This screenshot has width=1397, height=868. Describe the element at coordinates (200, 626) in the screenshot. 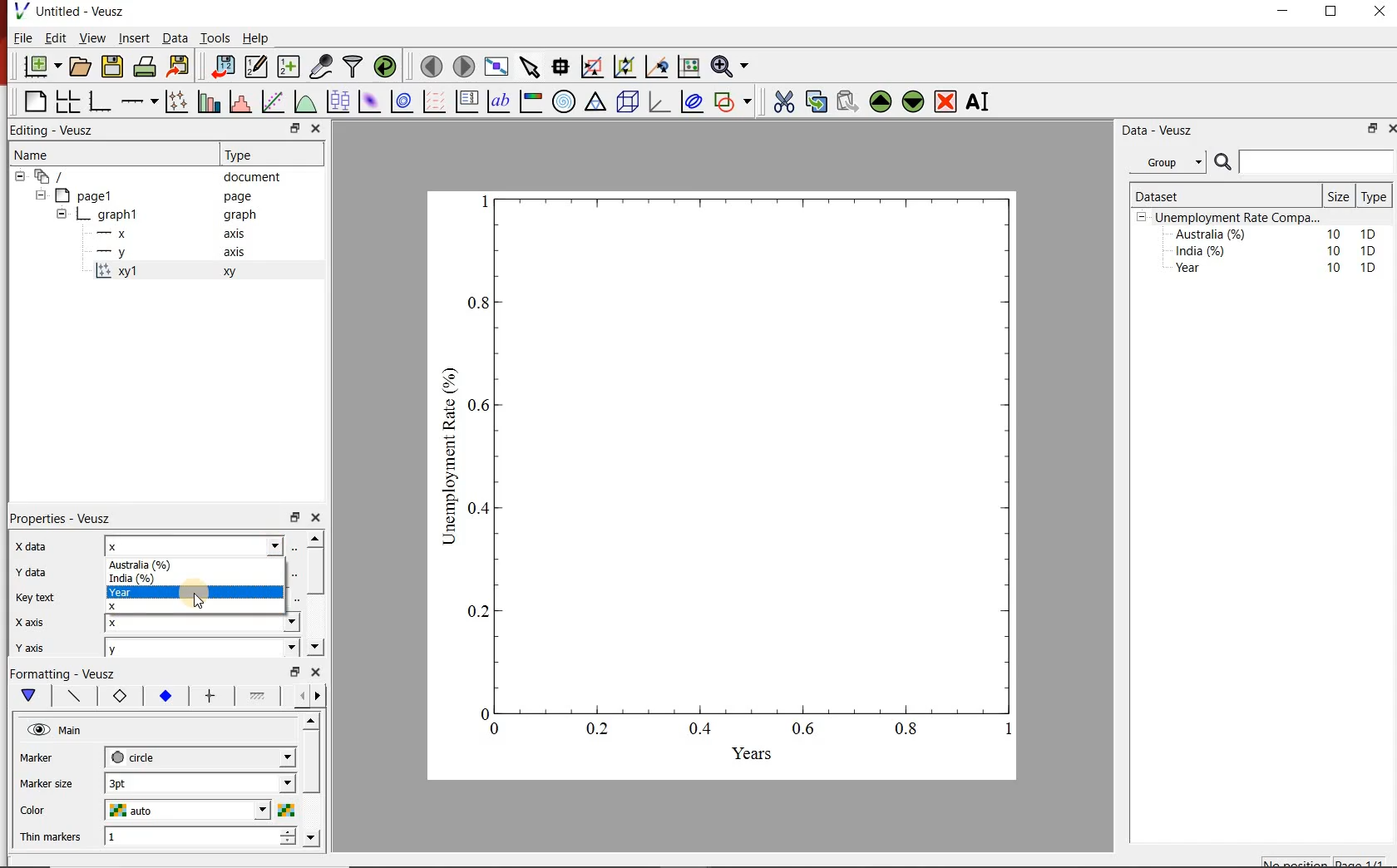

I see `x` at that location.